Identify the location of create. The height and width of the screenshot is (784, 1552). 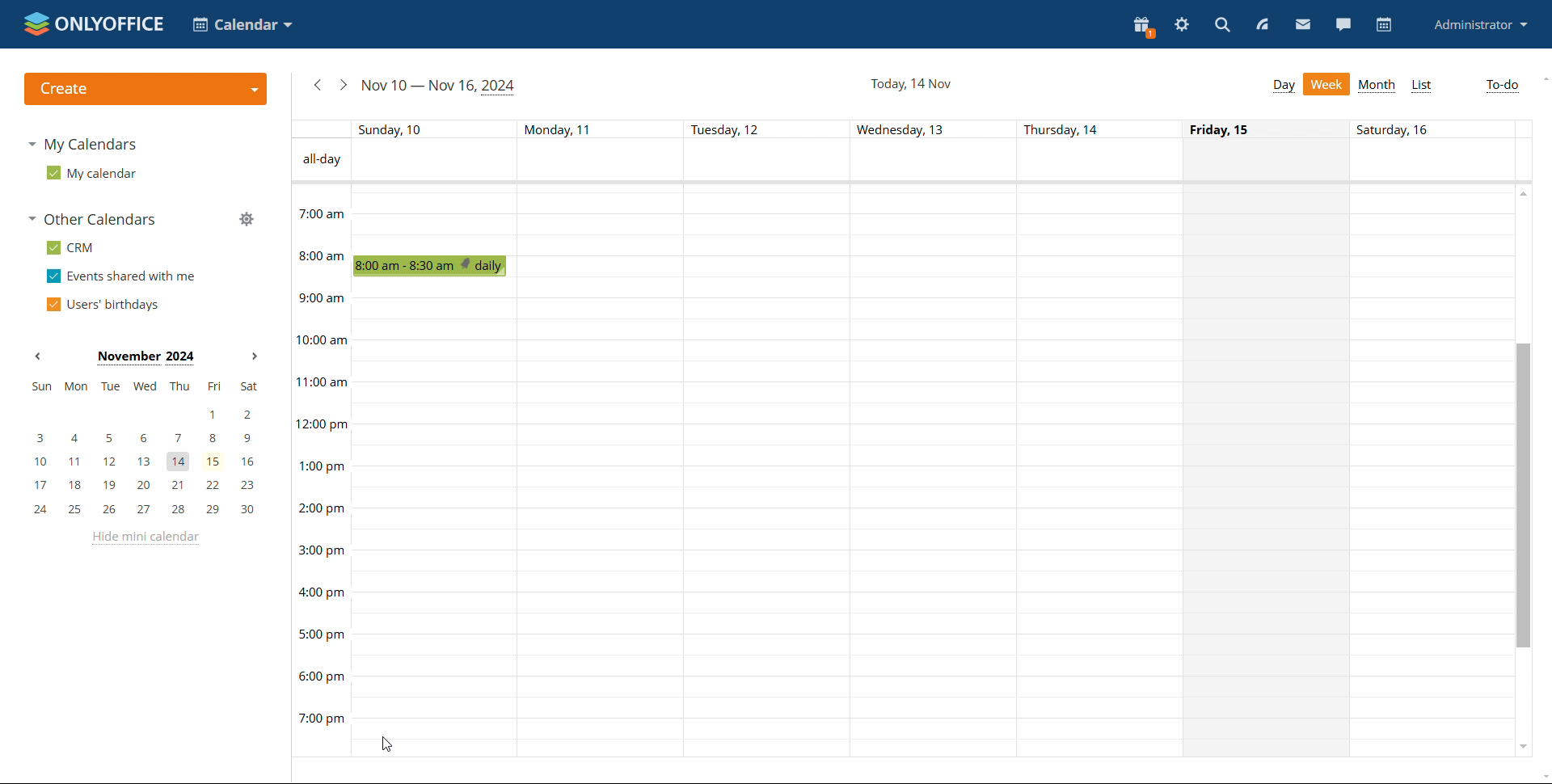
(145, 89).